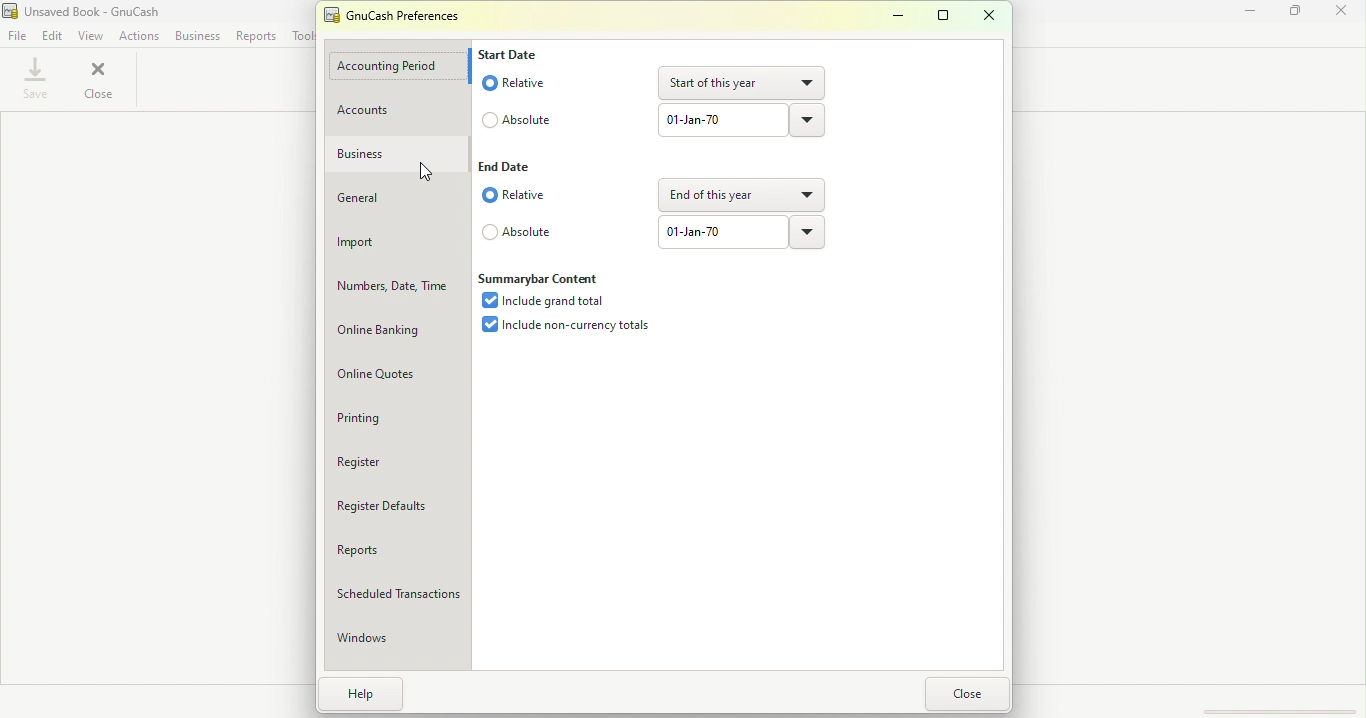 Image resolution: width=1366 pixels, height=718 pixels. I want to click on Absolute, so click(520, 122).